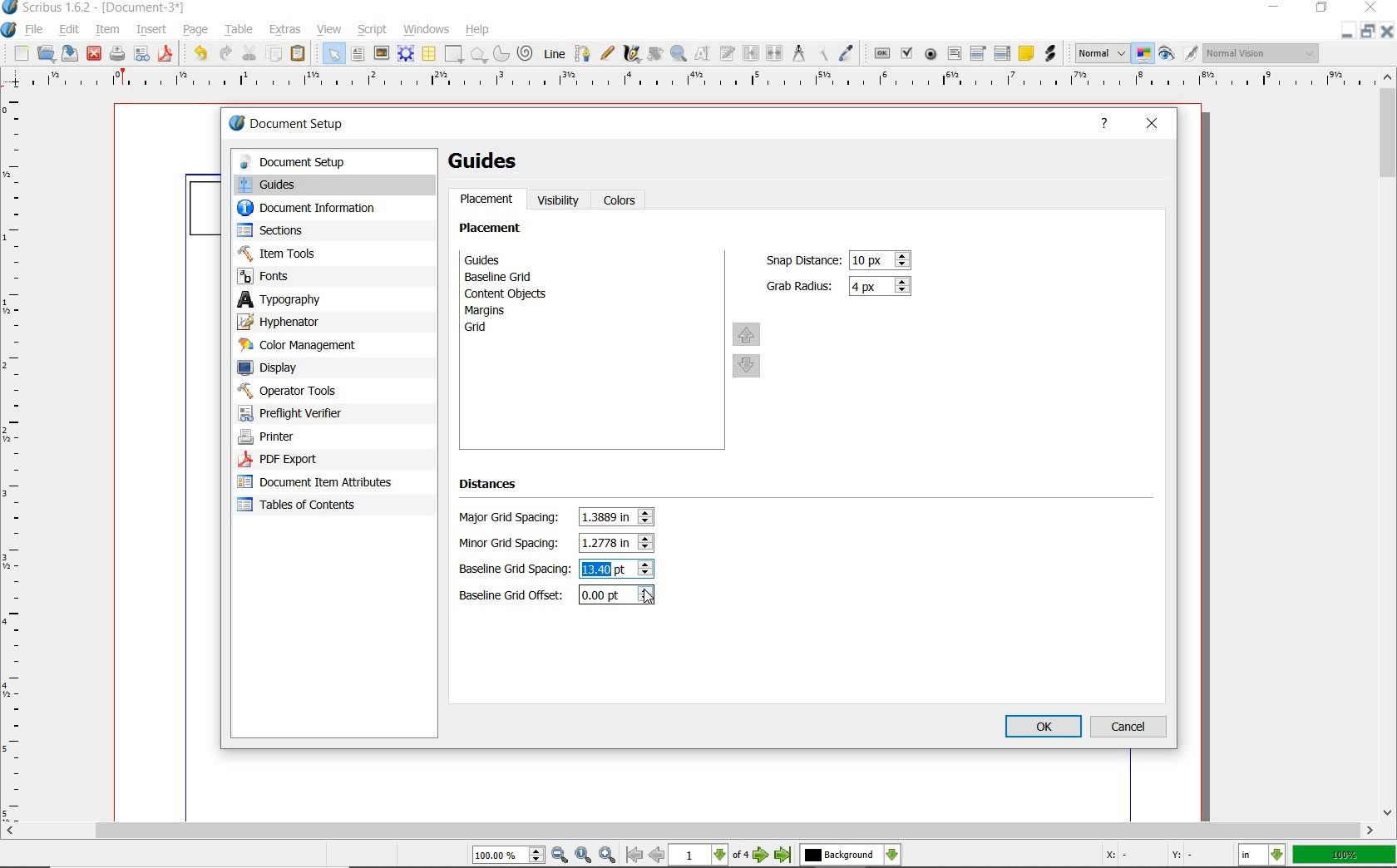 Image resolution: width=1397 pixels, height=868 pixels. I want to click on copy item properties, so click(821, 52).